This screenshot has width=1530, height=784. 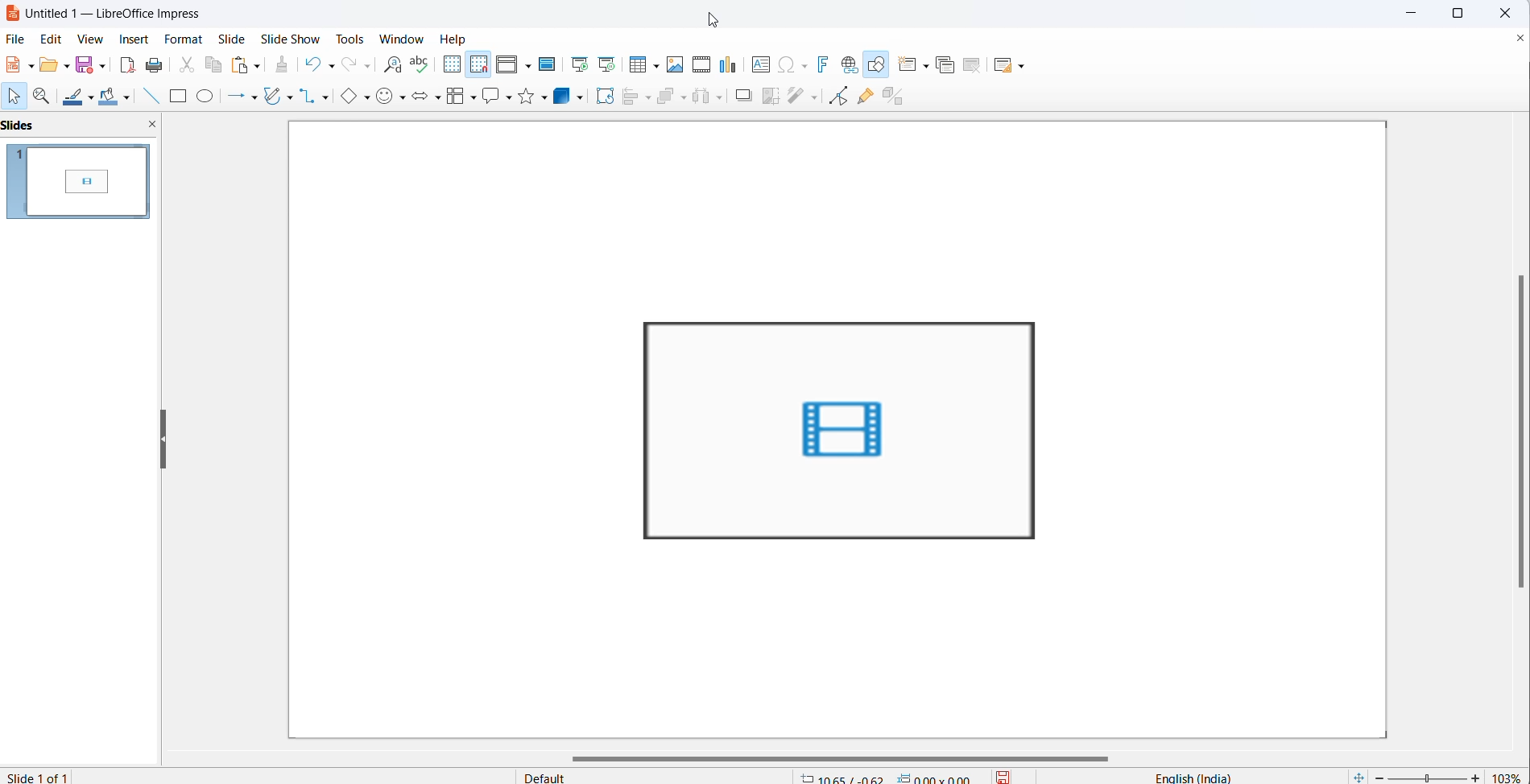 I want to click on new file, so click(x=16, y=68).